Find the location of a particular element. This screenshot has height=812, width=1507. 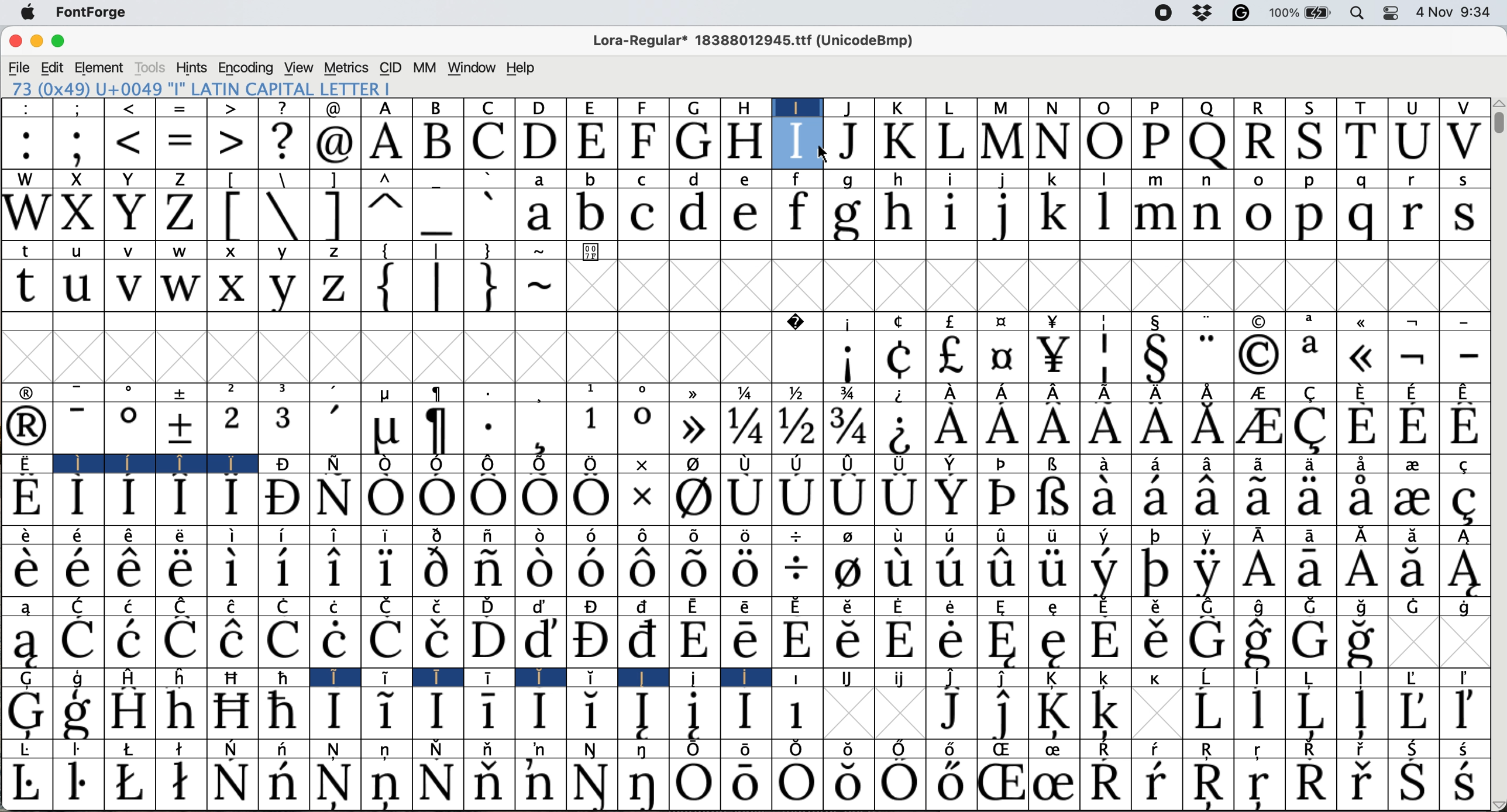

] is located at coordinates (333, 180).